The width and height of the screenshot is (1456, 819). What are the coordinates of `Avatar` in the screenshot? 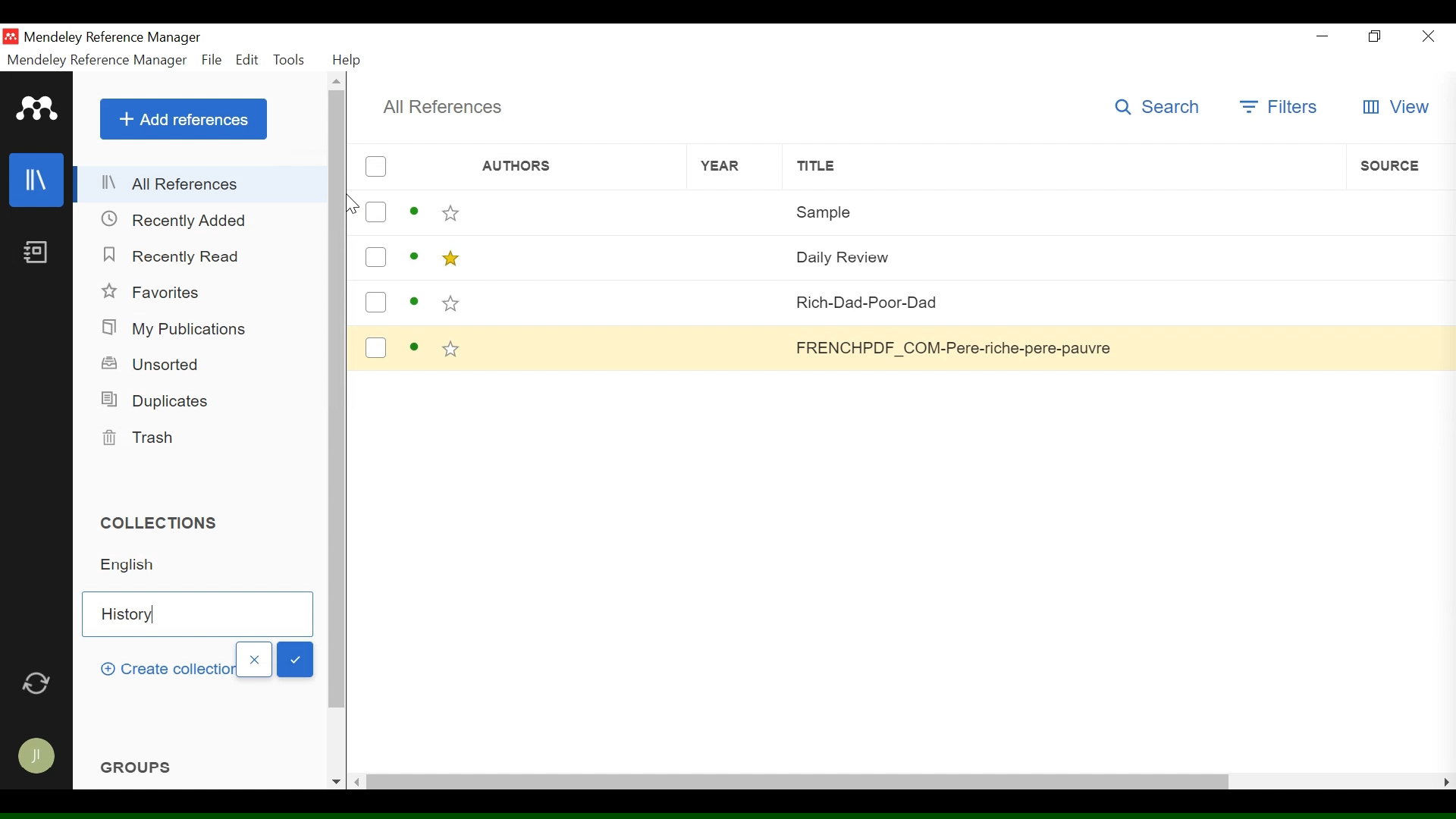 It's located at (35, 758).